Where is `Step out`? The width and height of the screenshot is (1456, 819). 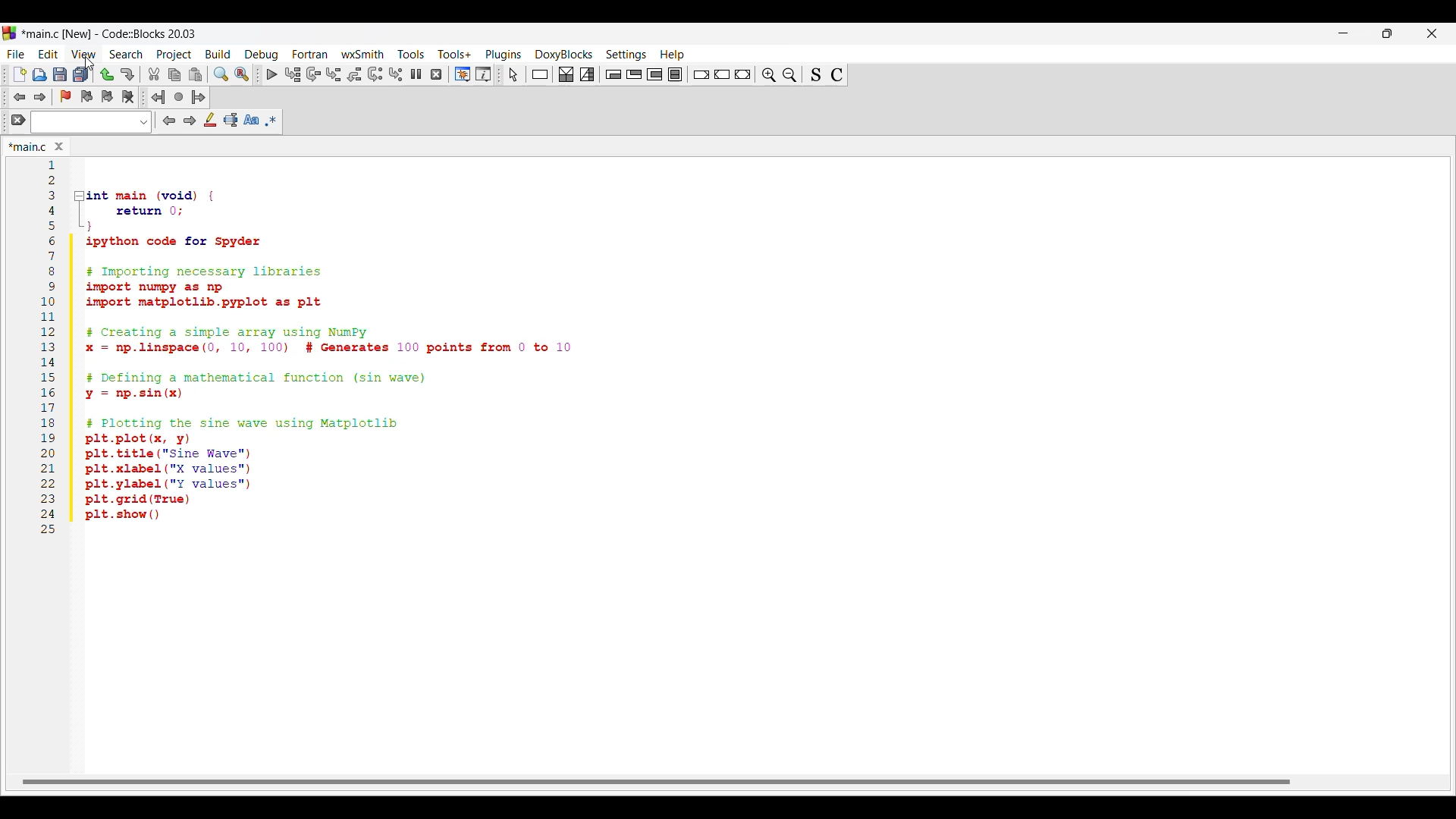 Step out is located at coordinates (354, 74).